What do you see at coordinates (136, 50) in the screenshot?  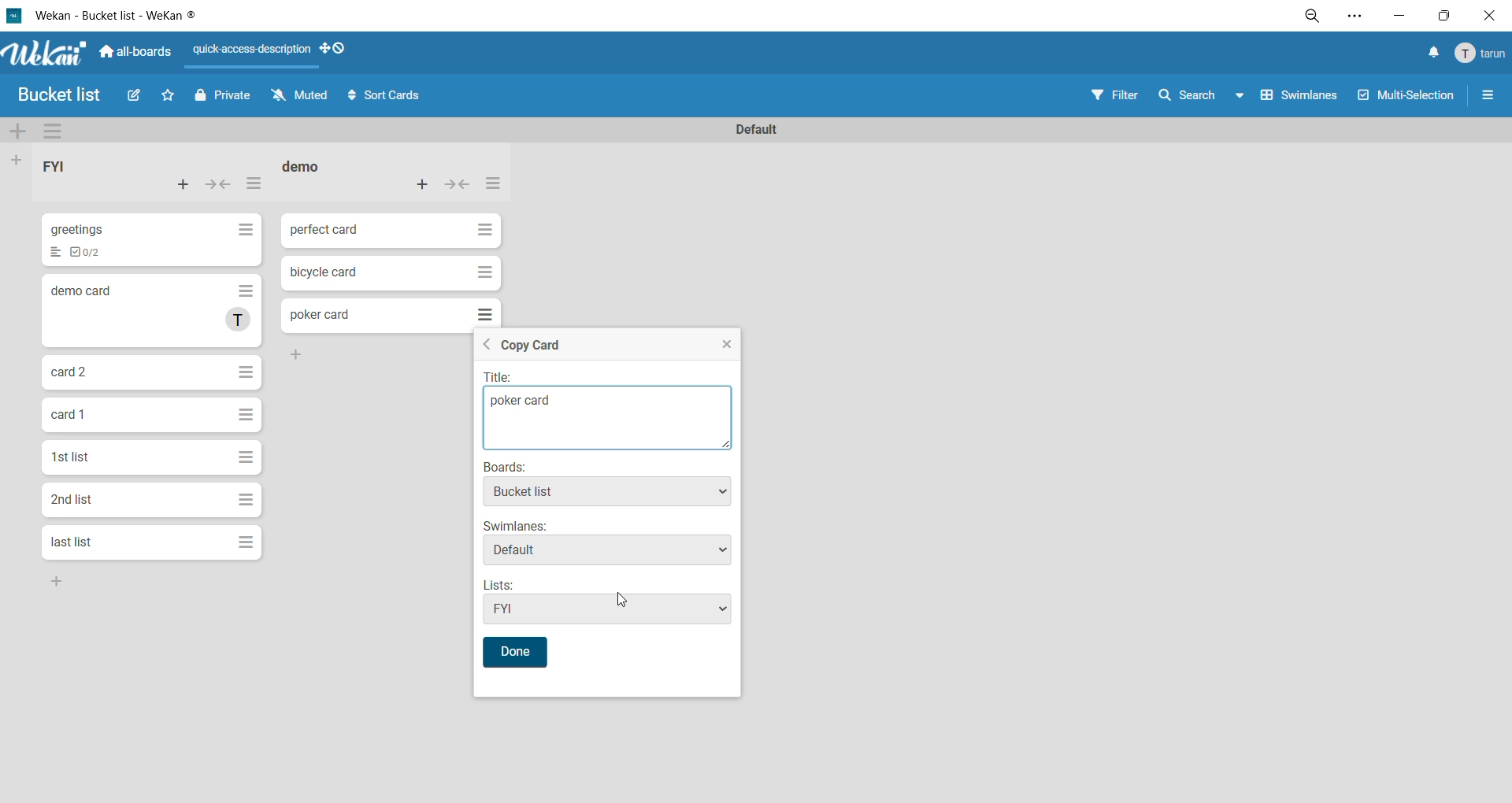 I see `all boards` at bounding box center [136, 50].